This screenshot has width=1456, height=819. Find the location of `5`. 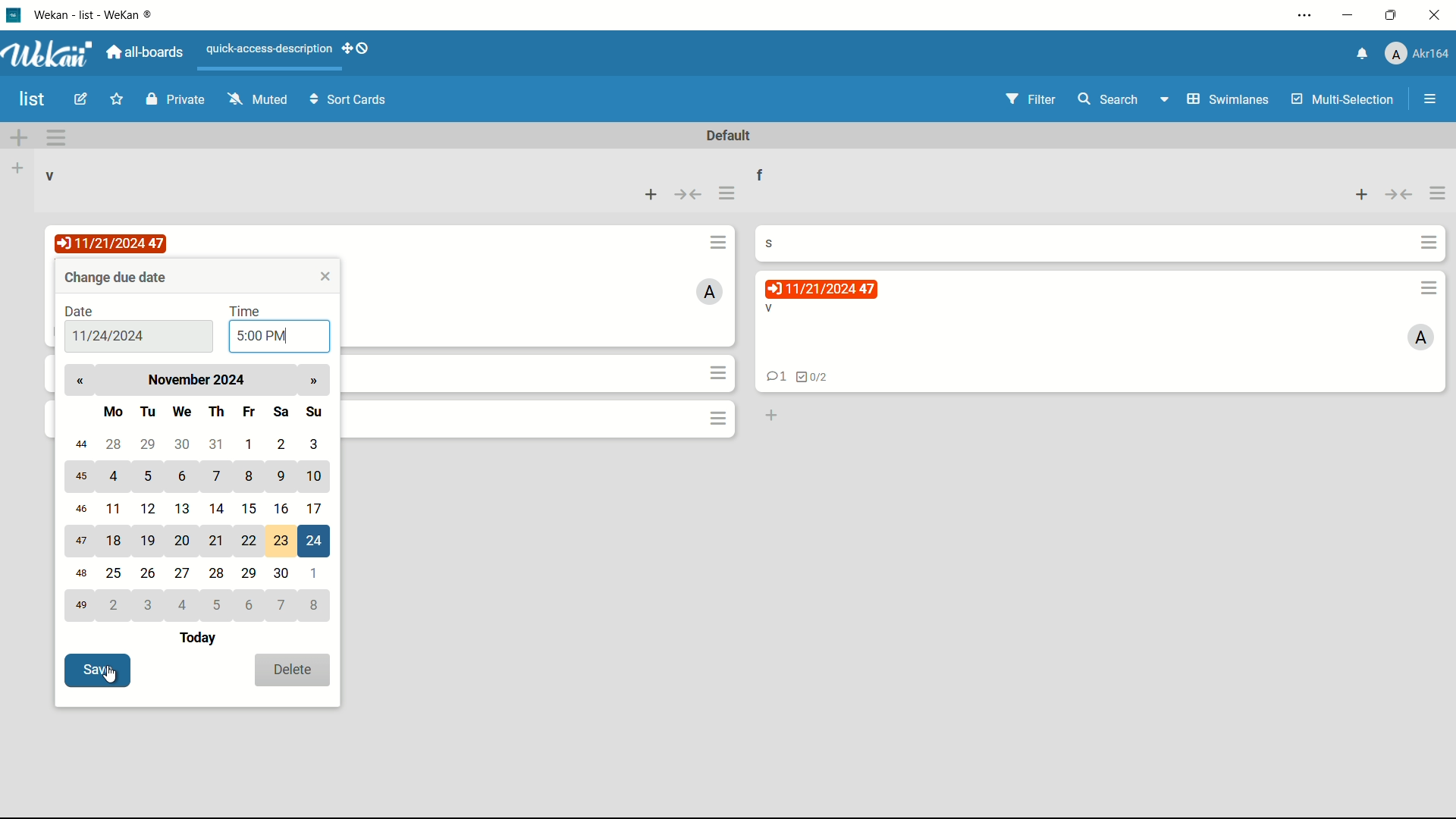

5 is located at coordinates (148, 476).